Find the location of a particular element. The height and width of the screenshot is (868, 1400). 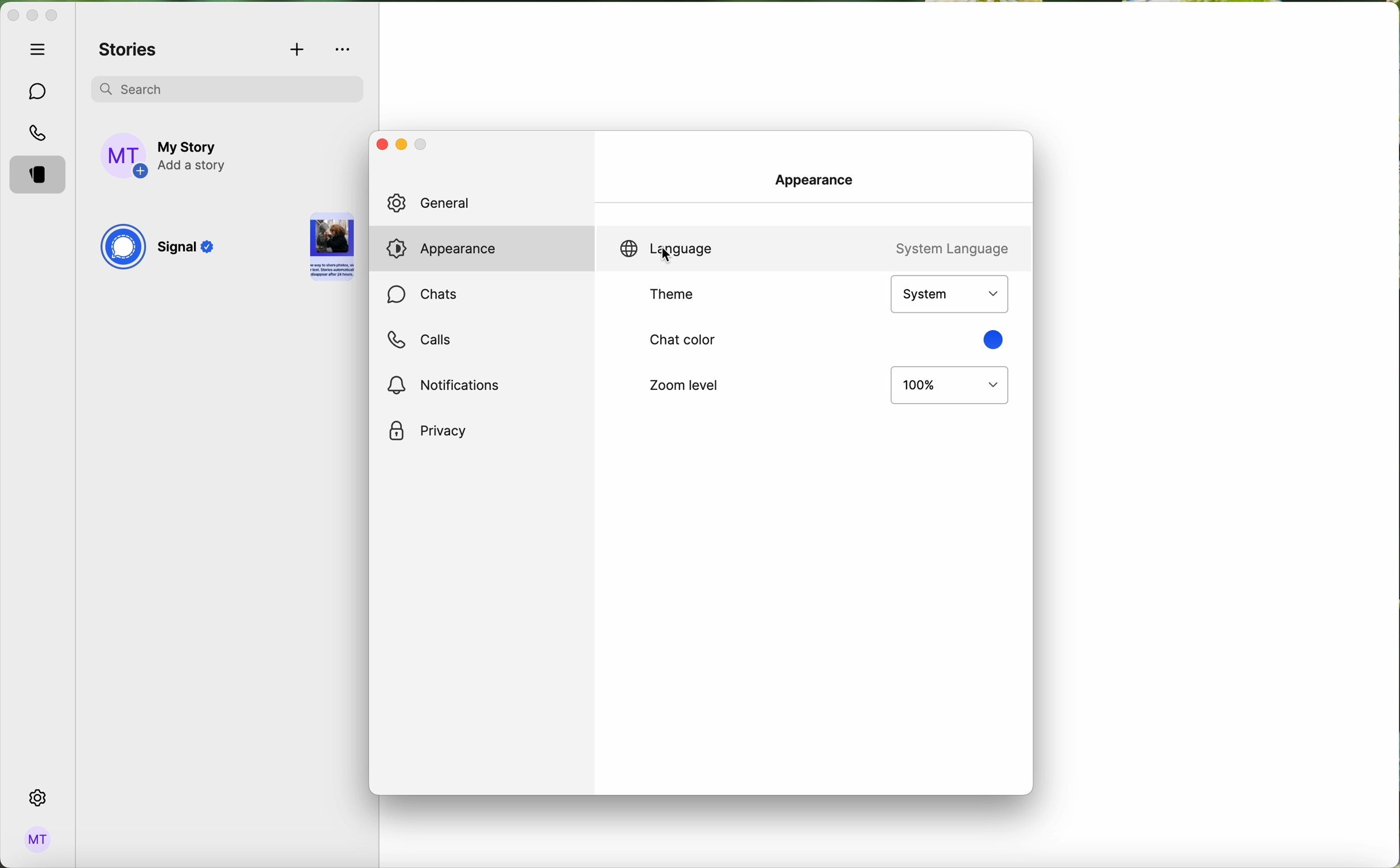

signal logo is located at coordinates (122, 249).